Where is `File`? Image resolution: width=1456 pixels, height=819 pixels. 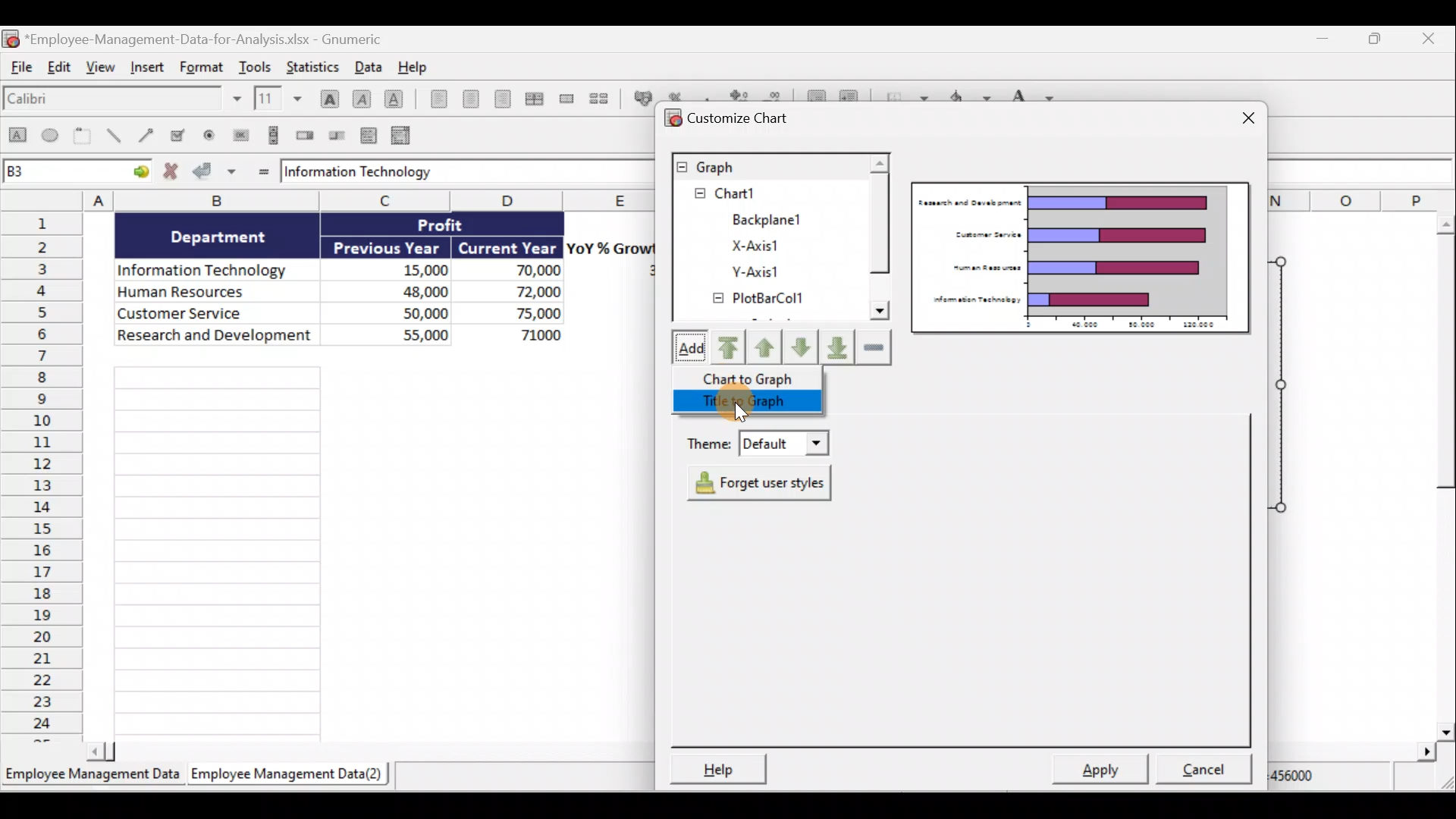
File is located at coordinates (20, 67).